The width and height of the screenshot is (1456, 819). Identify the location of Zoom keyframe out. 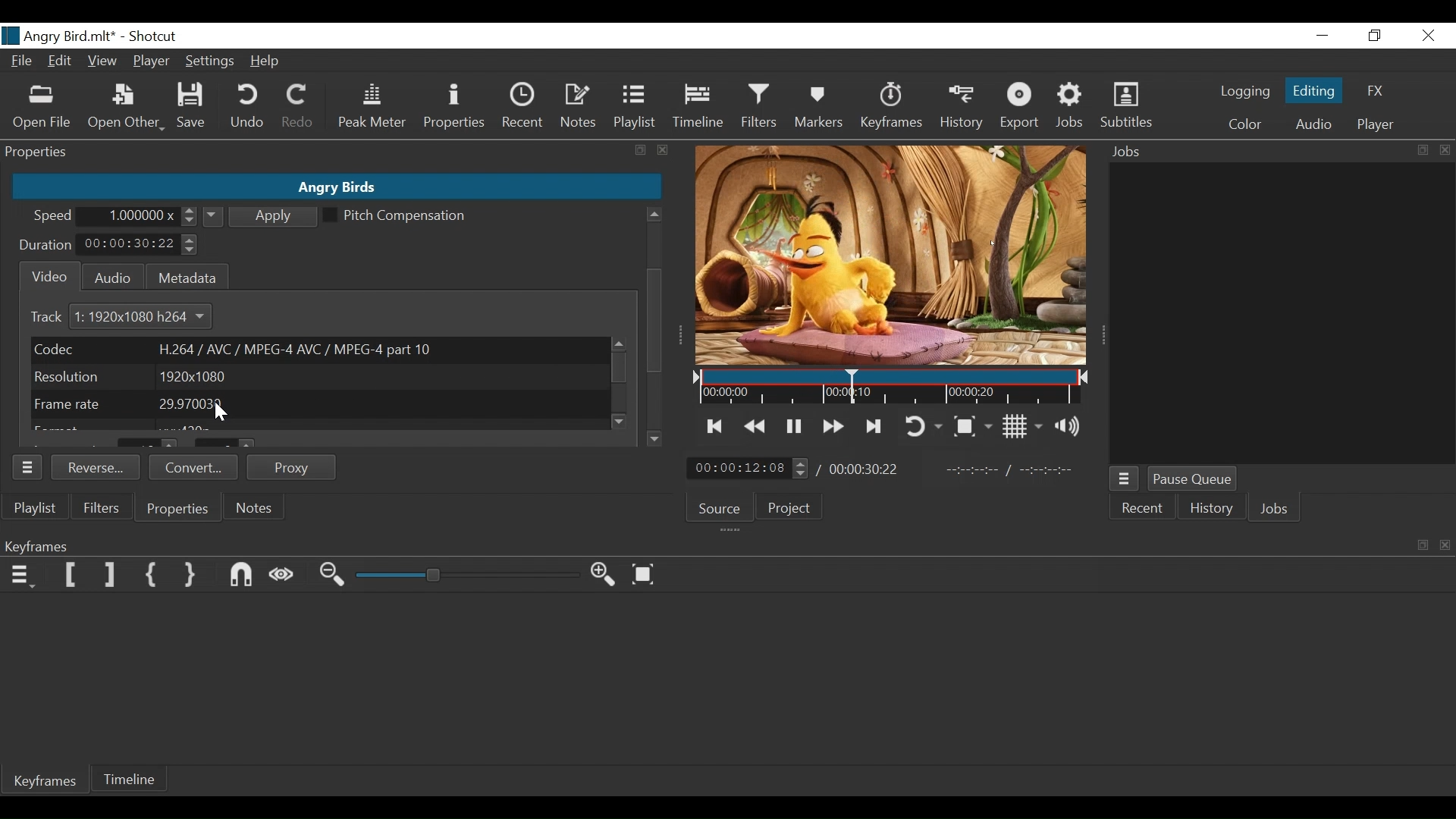
(334, 576).